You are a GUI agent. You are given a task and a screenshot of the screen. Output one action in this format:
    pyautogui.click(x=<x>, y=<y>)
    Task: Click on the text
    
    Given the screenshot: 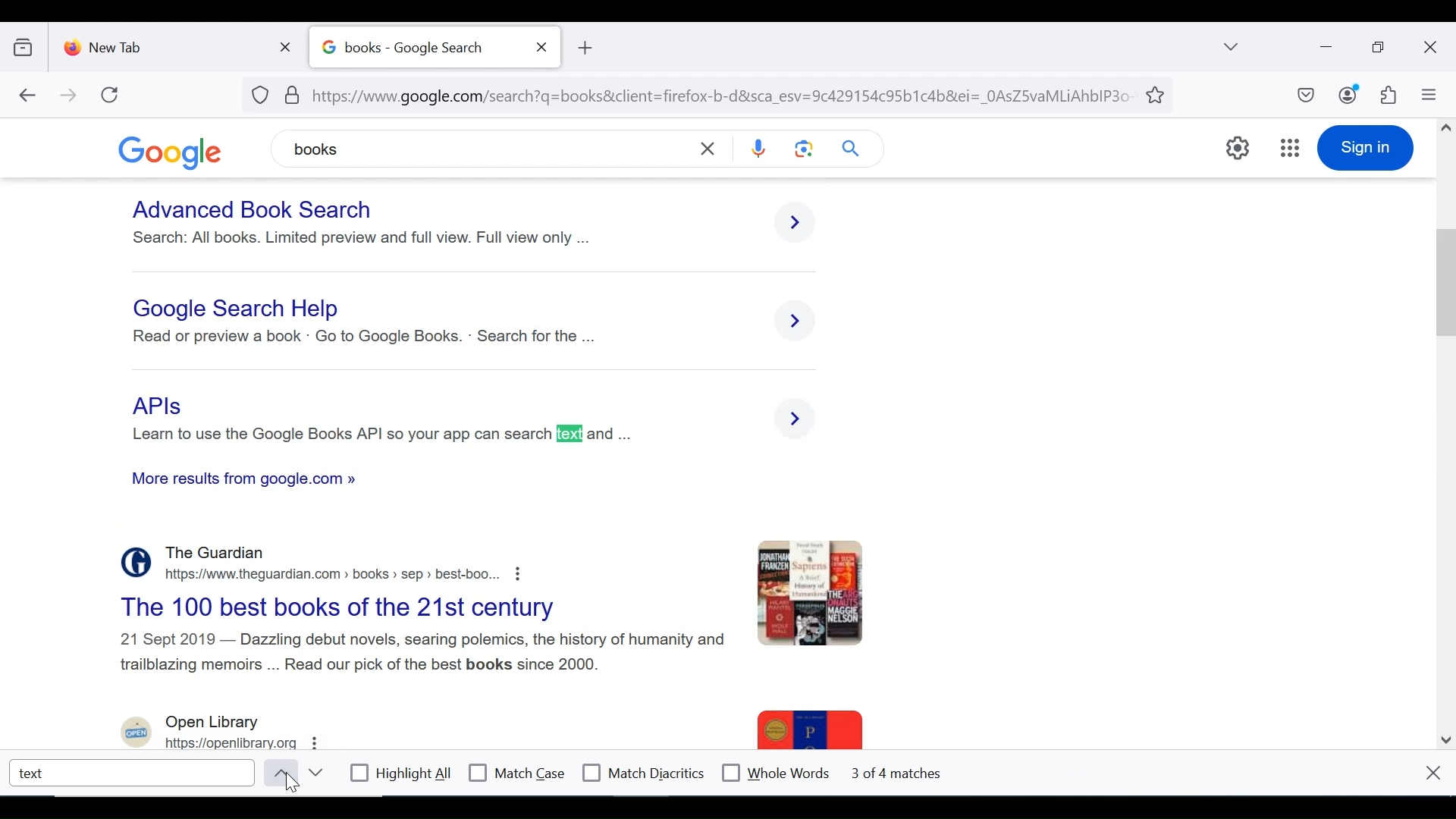 What is the action you would take?
    pyautogui.click(x=133, y=772)
    